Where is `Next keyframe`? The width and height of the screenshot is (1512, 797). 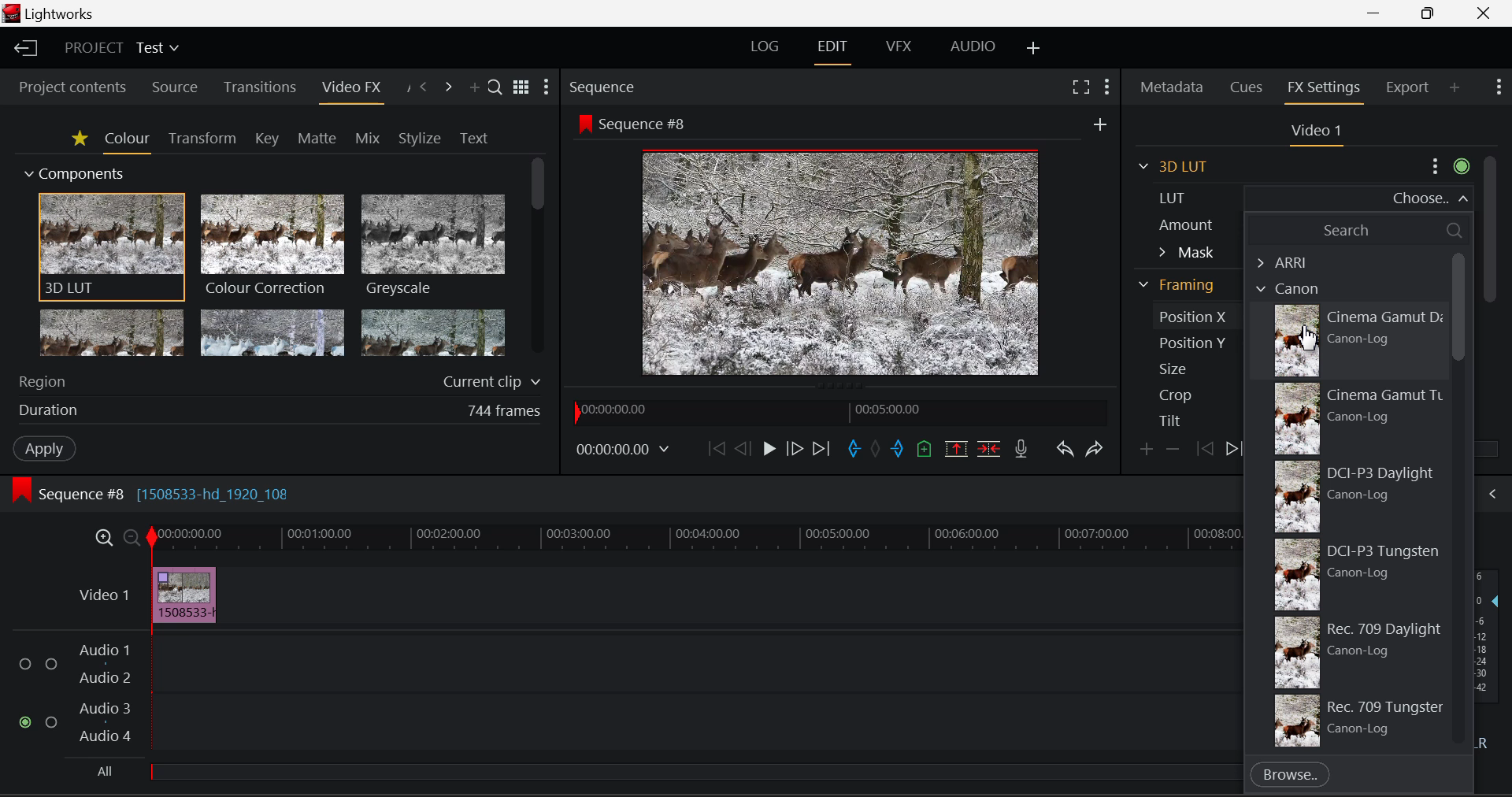
Next keyframe is located at coordinates (1235, 449).